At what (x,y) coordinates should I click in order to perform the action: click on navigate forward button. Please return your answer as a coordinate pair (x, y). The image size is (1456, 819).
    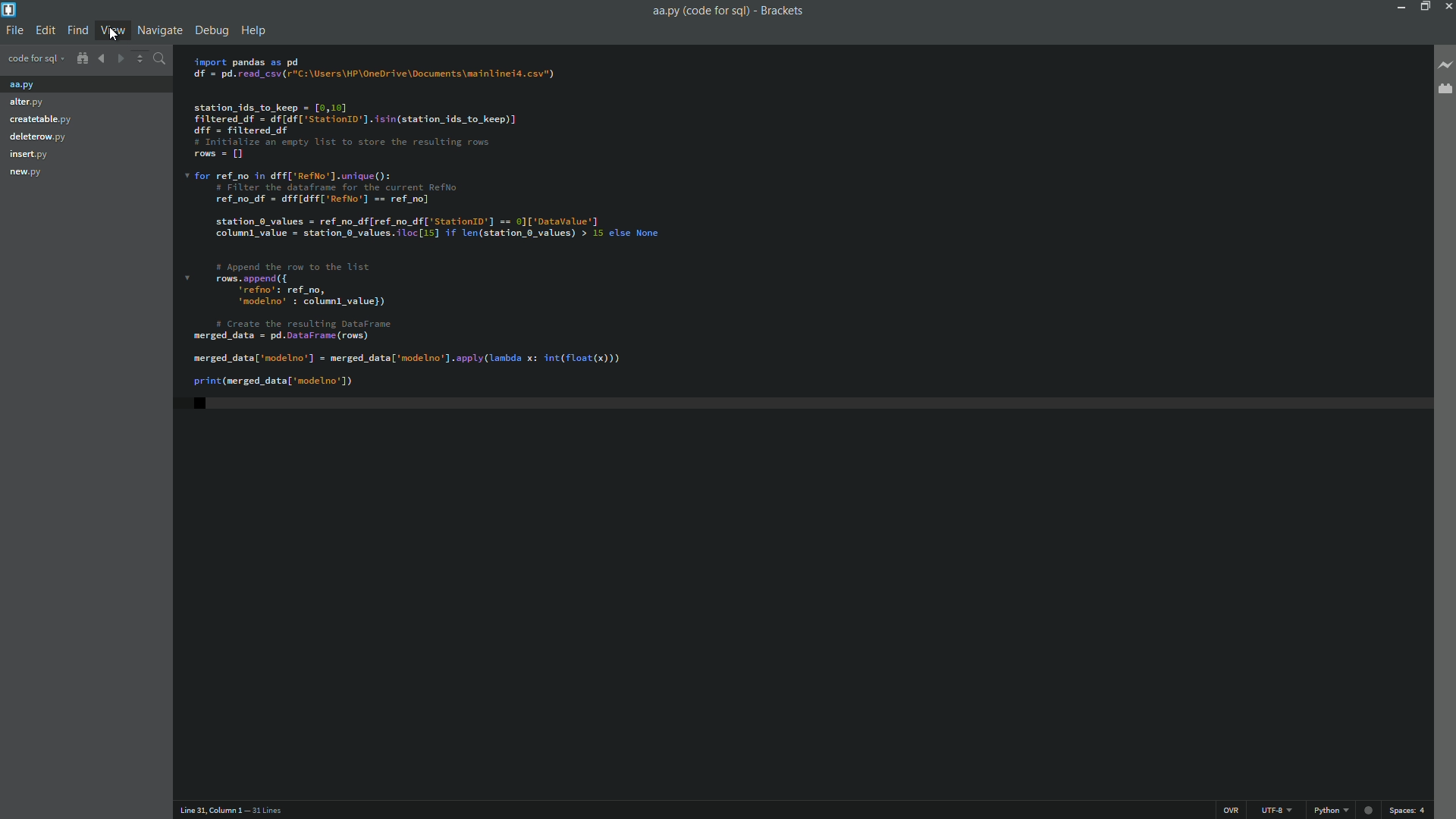
    Looking at the image, I should click on (121, 58).